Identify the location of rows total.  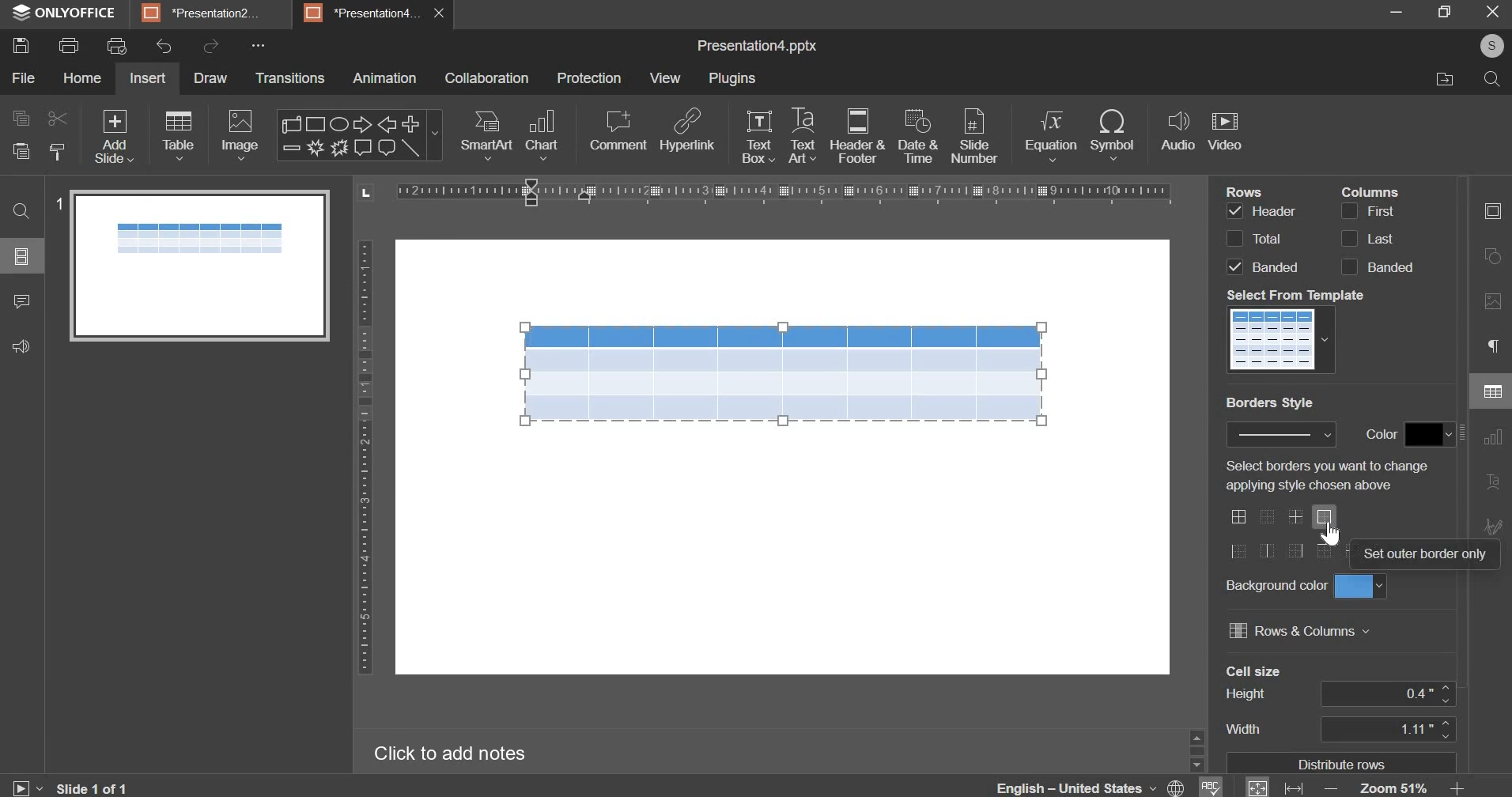
(1234, 239).